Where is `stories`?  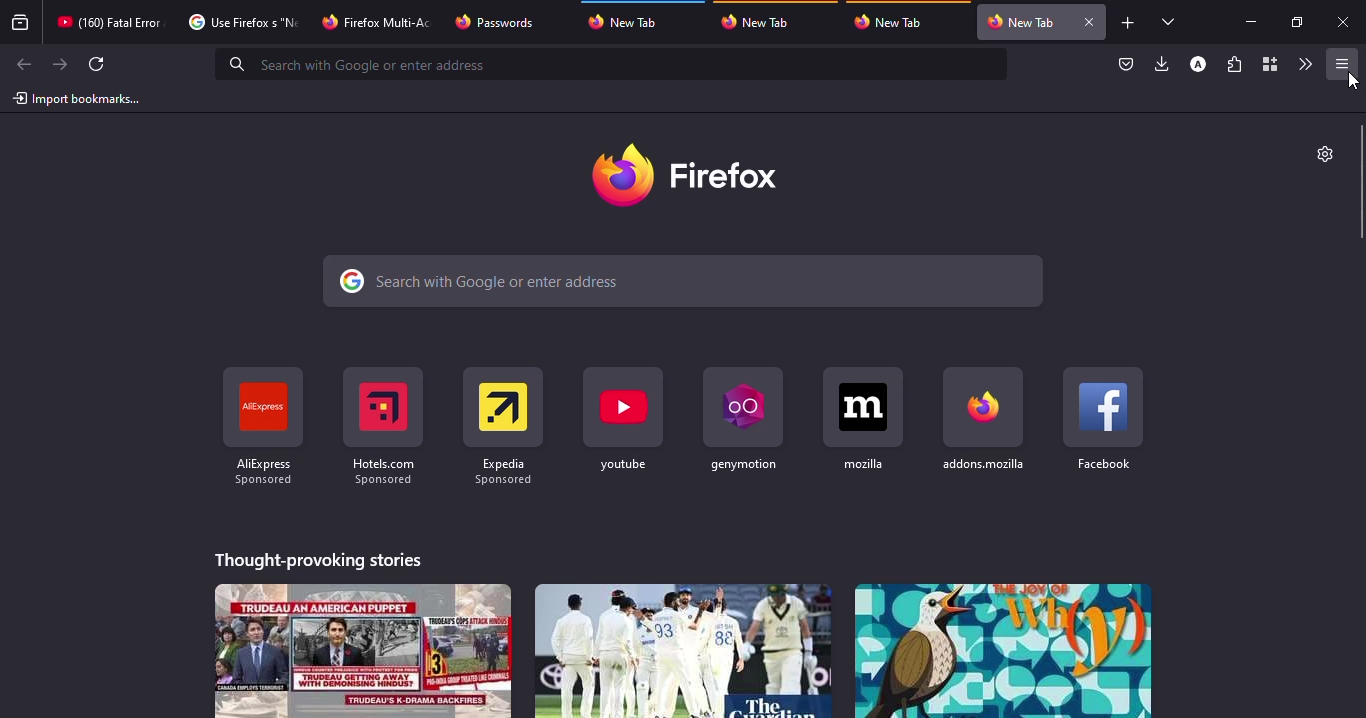 stories is located at coordinates (364, 650).